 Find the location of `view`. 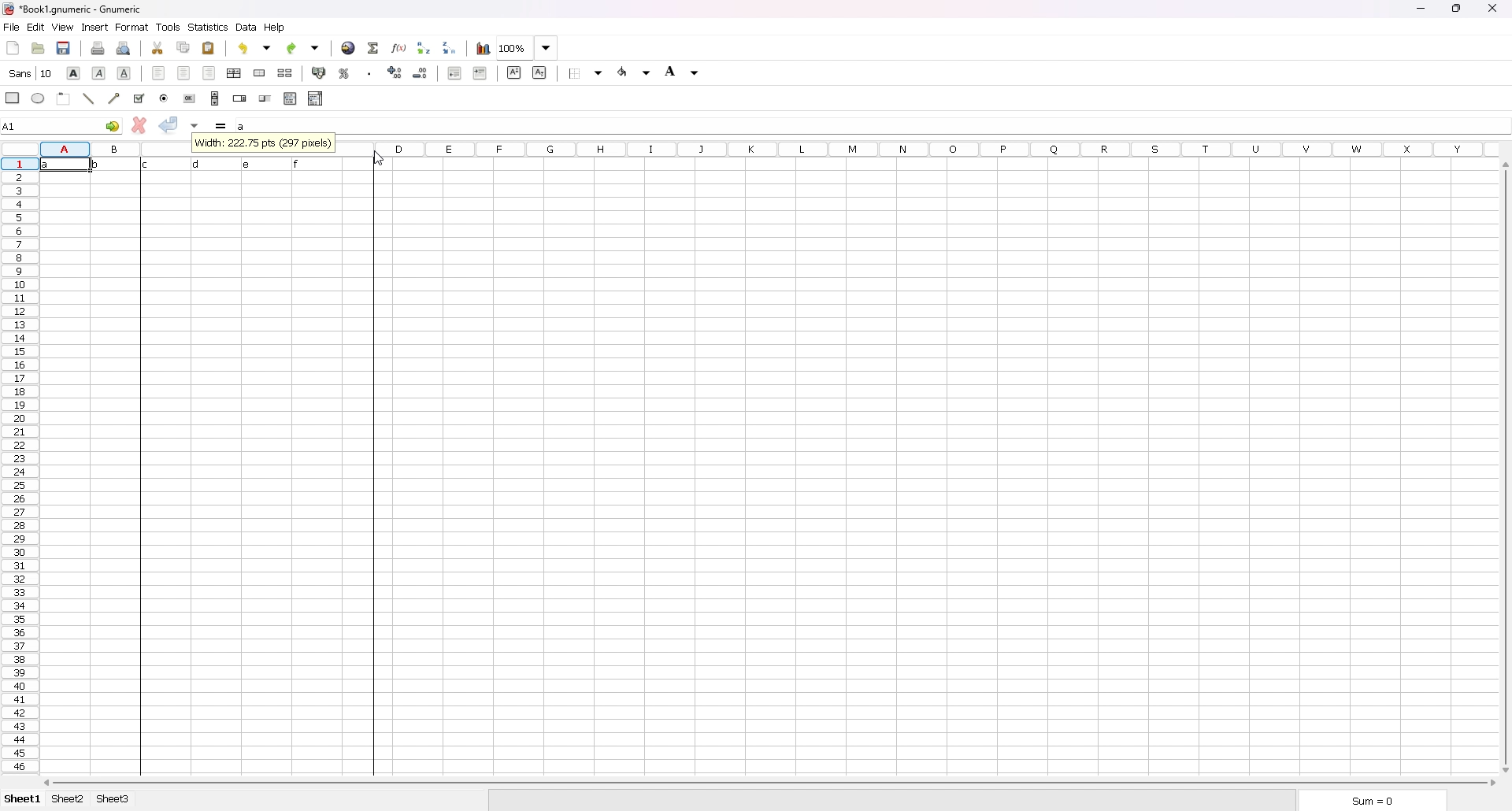

view is located at coordinates (63, 27).